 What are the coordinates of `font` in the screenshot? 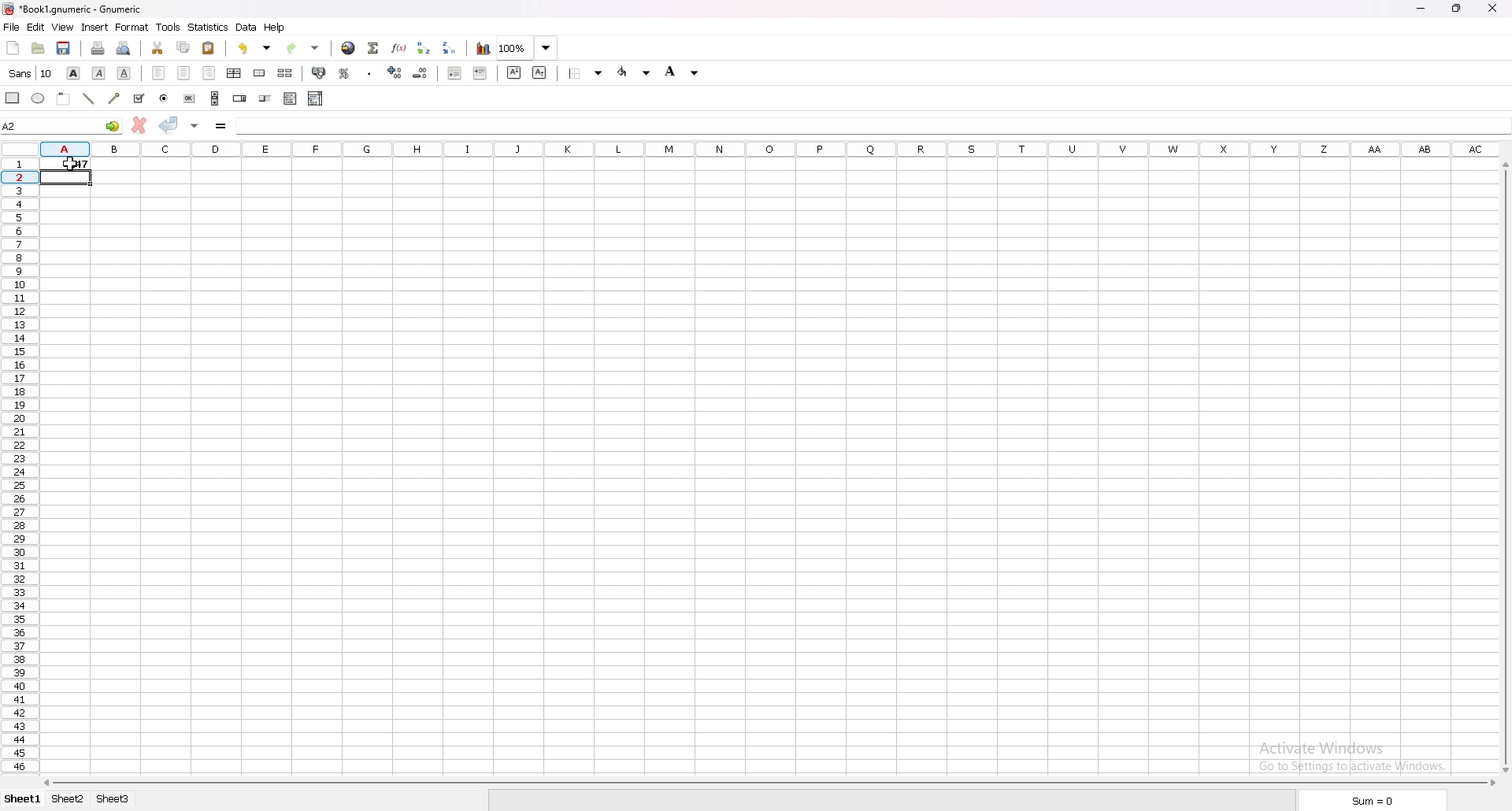 It's located at (32, 72).